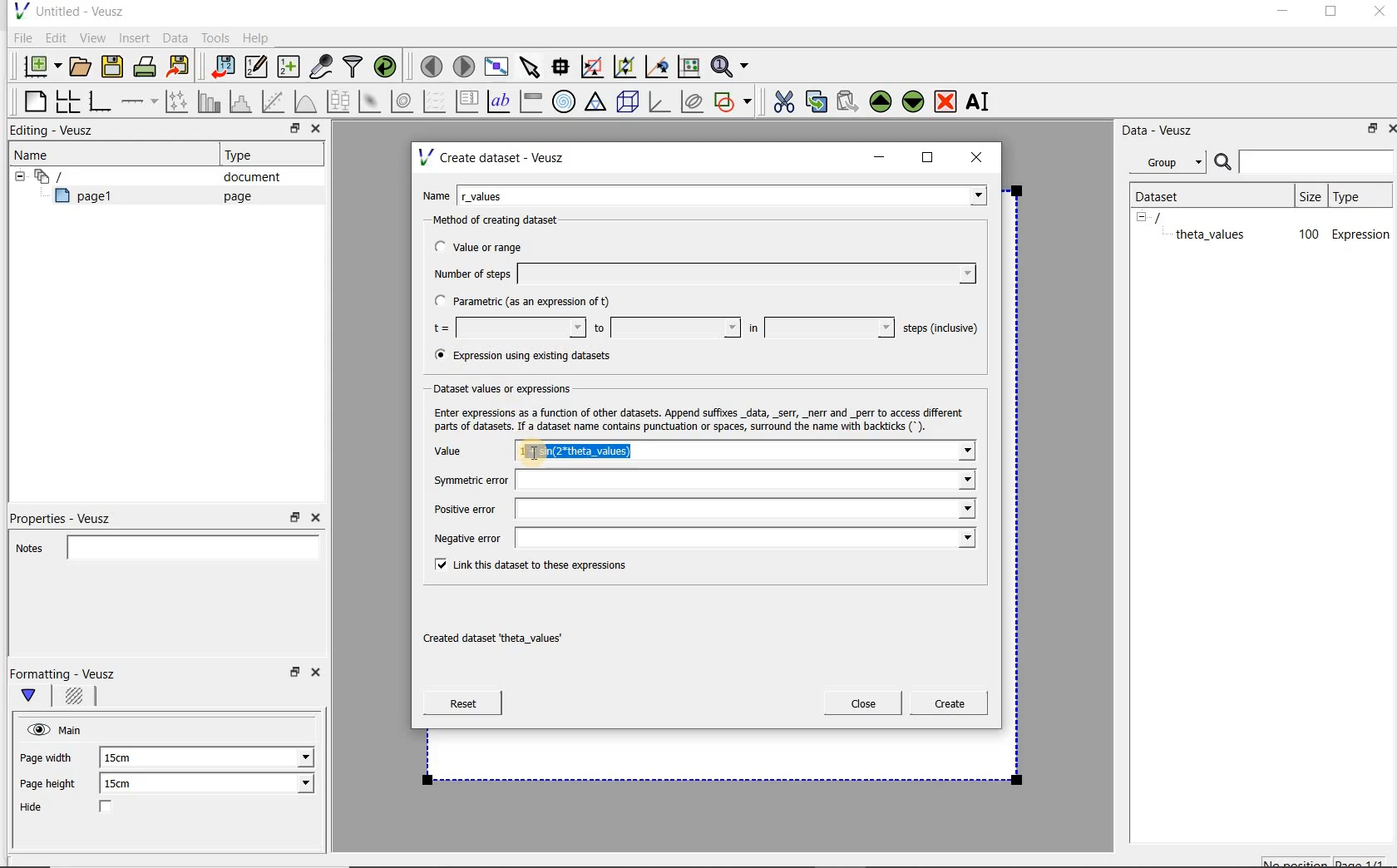 The image size is (1397, 868). What do you see at coordinates (36, 697) in the screenshot?
I see `Main formatting` at bounding box center [36, 697].